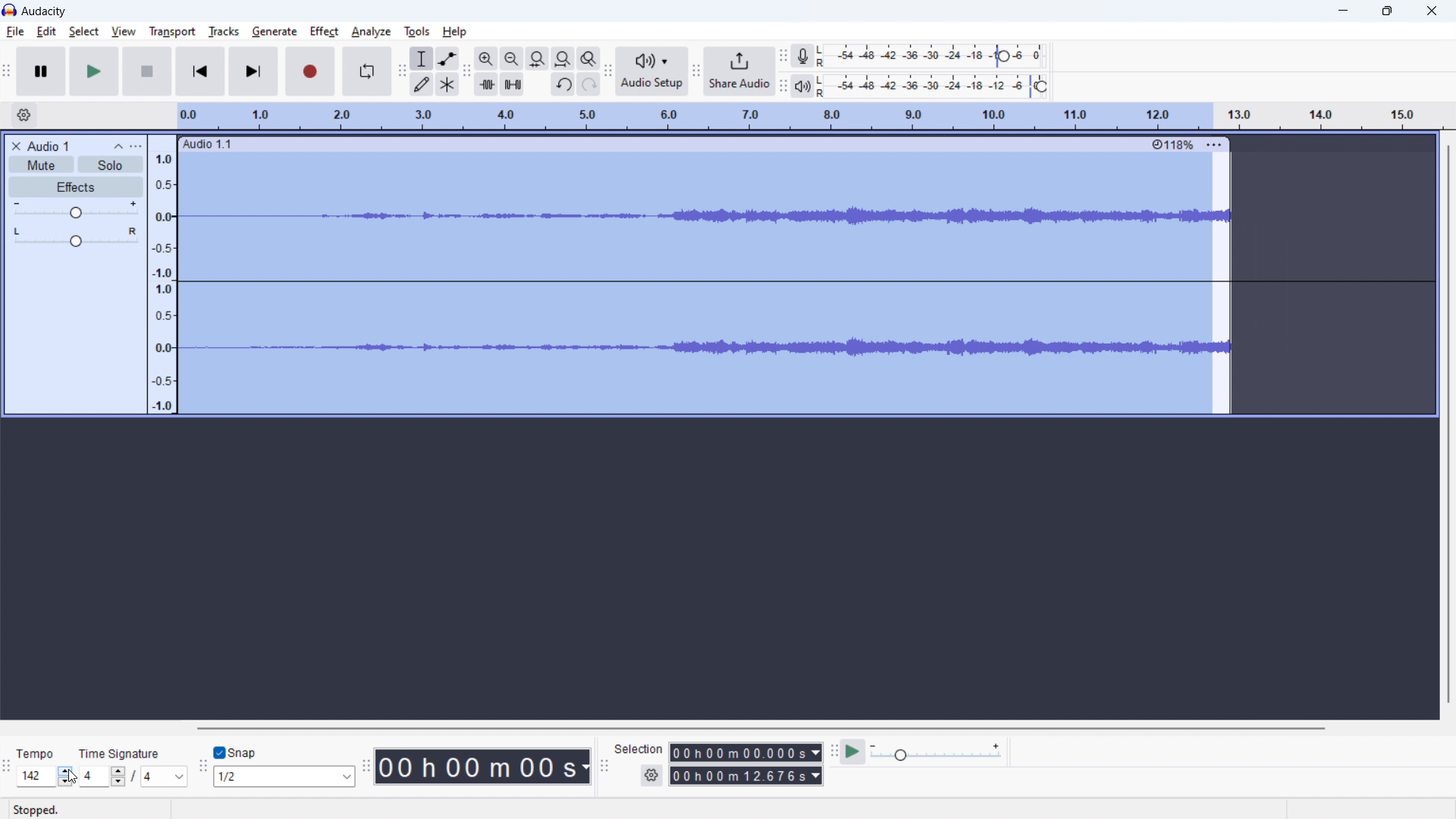 The image size is (1456, 819). What do you see at coordinates (604, 768) in the screenshot?
I see `selection toolbar` at bounding box center [604, 768].